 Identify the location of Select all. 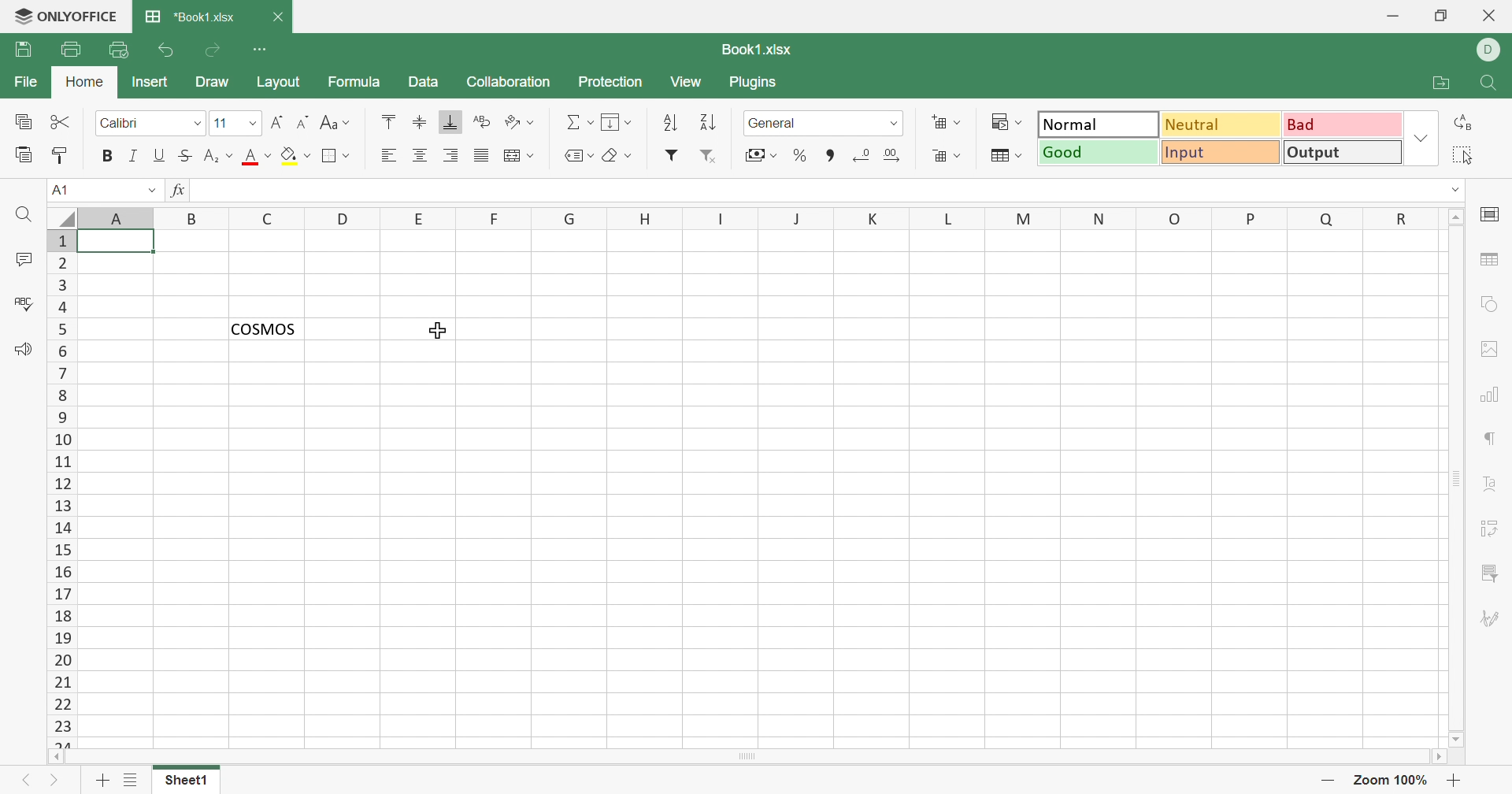
(1462, 155).